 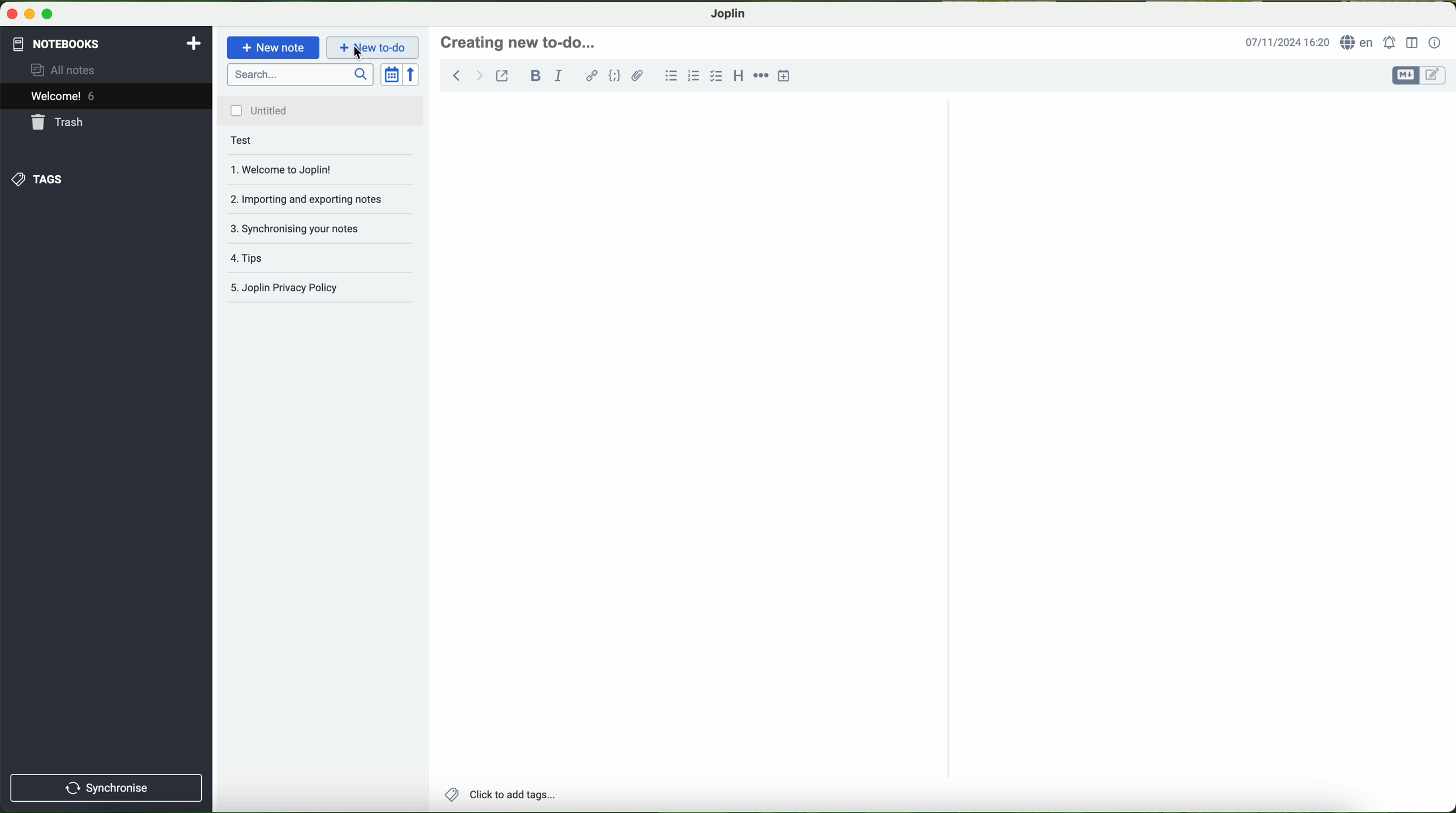 What do you see at coordinates (672, 75) in the screenshot?
I see `bulleted list` at bounding box center [672, 75].